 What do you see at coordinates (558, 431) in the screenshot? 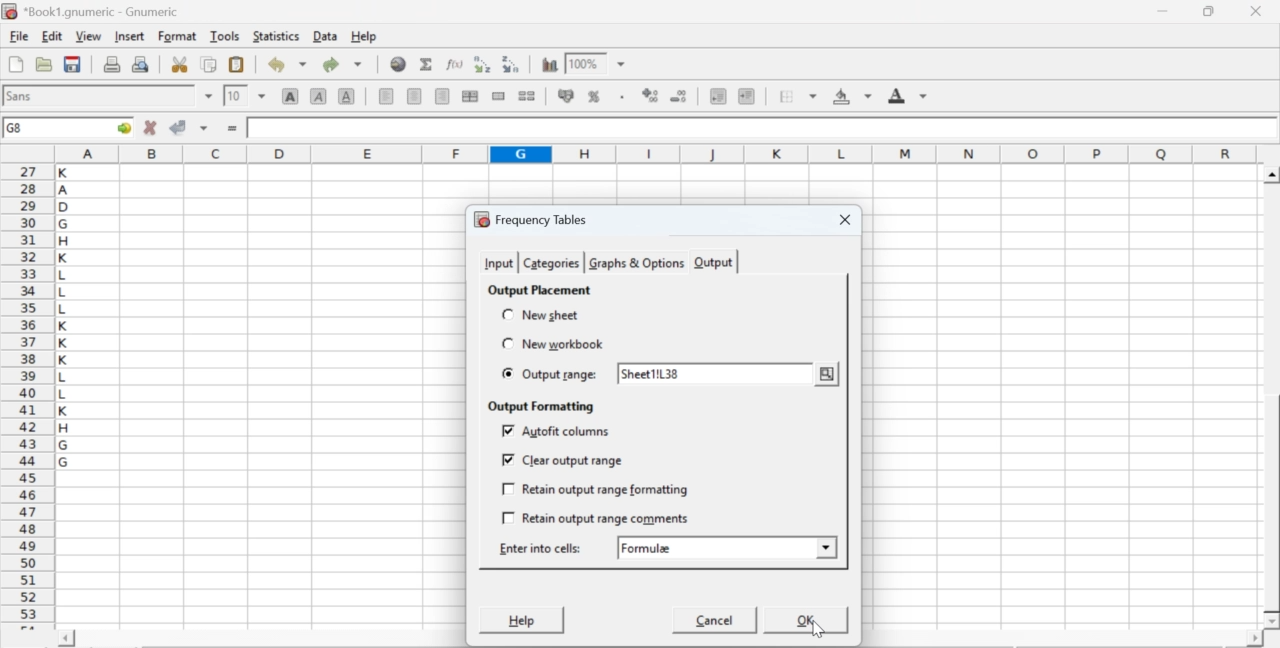
I see `autofit columns` at bounding box center [558, 431].